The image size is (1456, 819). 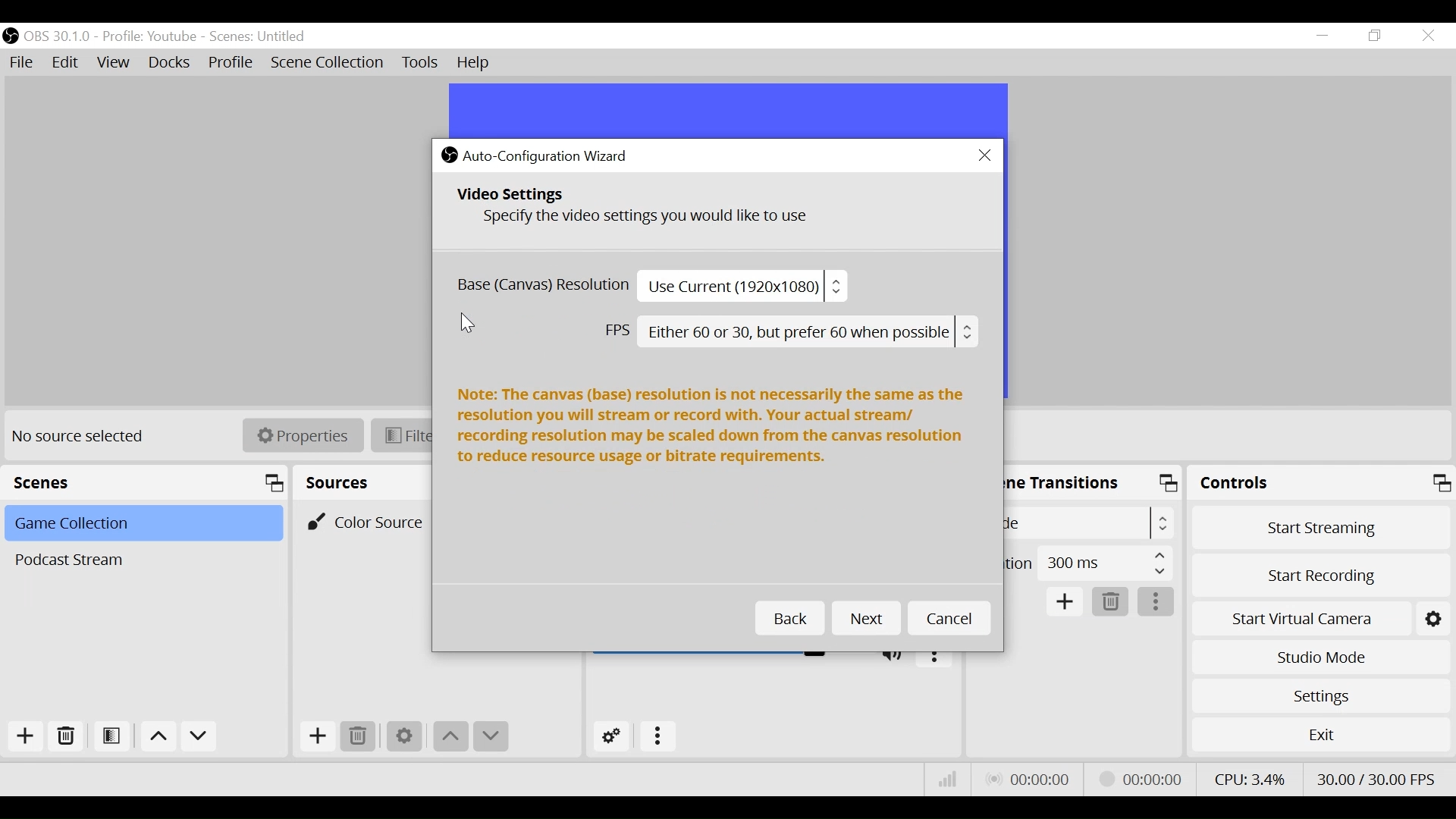 What do you see at coordinates (949, 780) in the screenshot?
I see `Bitrate` at bounding box center [949, 780].